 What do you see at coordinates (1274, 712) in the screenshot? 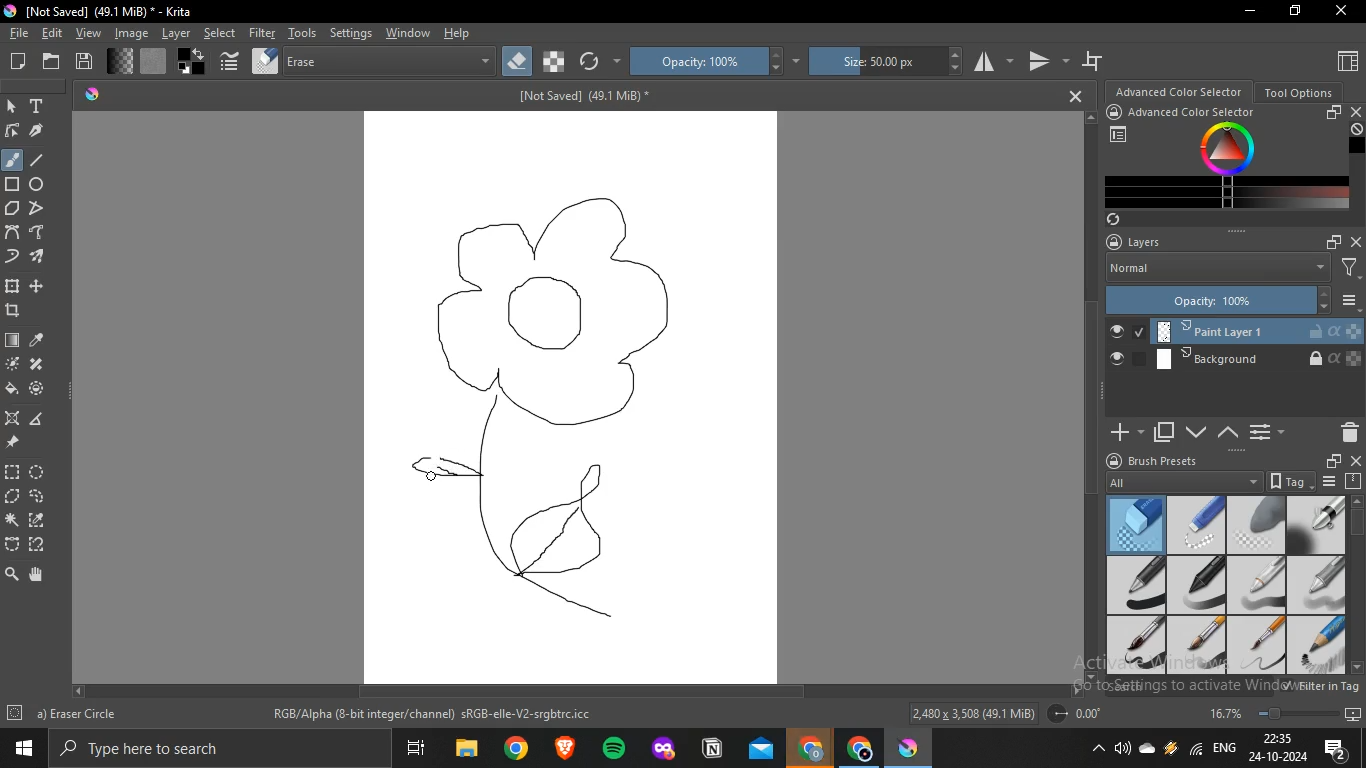
I see `Zoom` at bounding box center [1274, 712].